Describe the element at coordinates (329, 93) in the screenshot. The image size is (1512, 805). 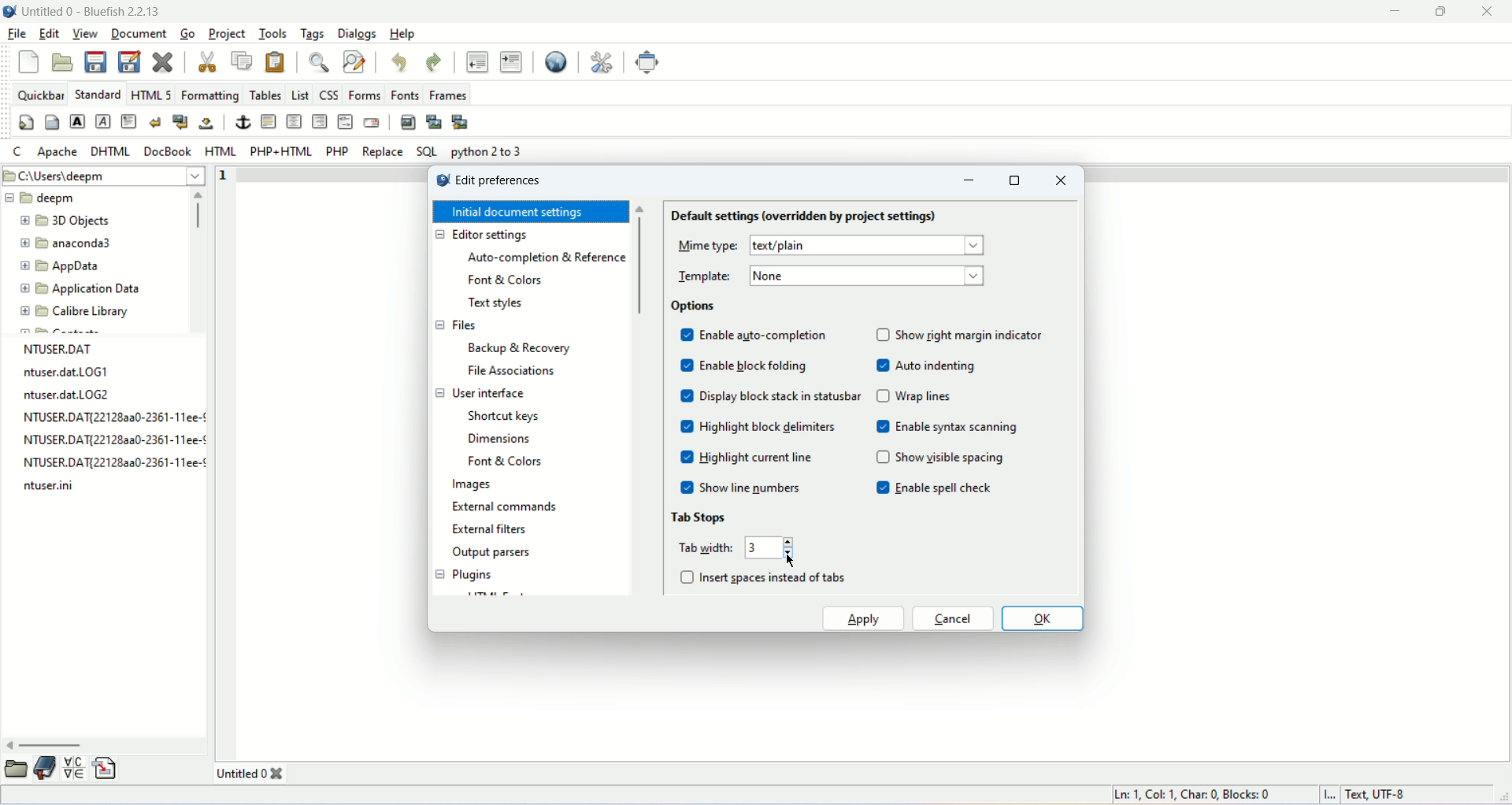
I see `CSS` at that location.